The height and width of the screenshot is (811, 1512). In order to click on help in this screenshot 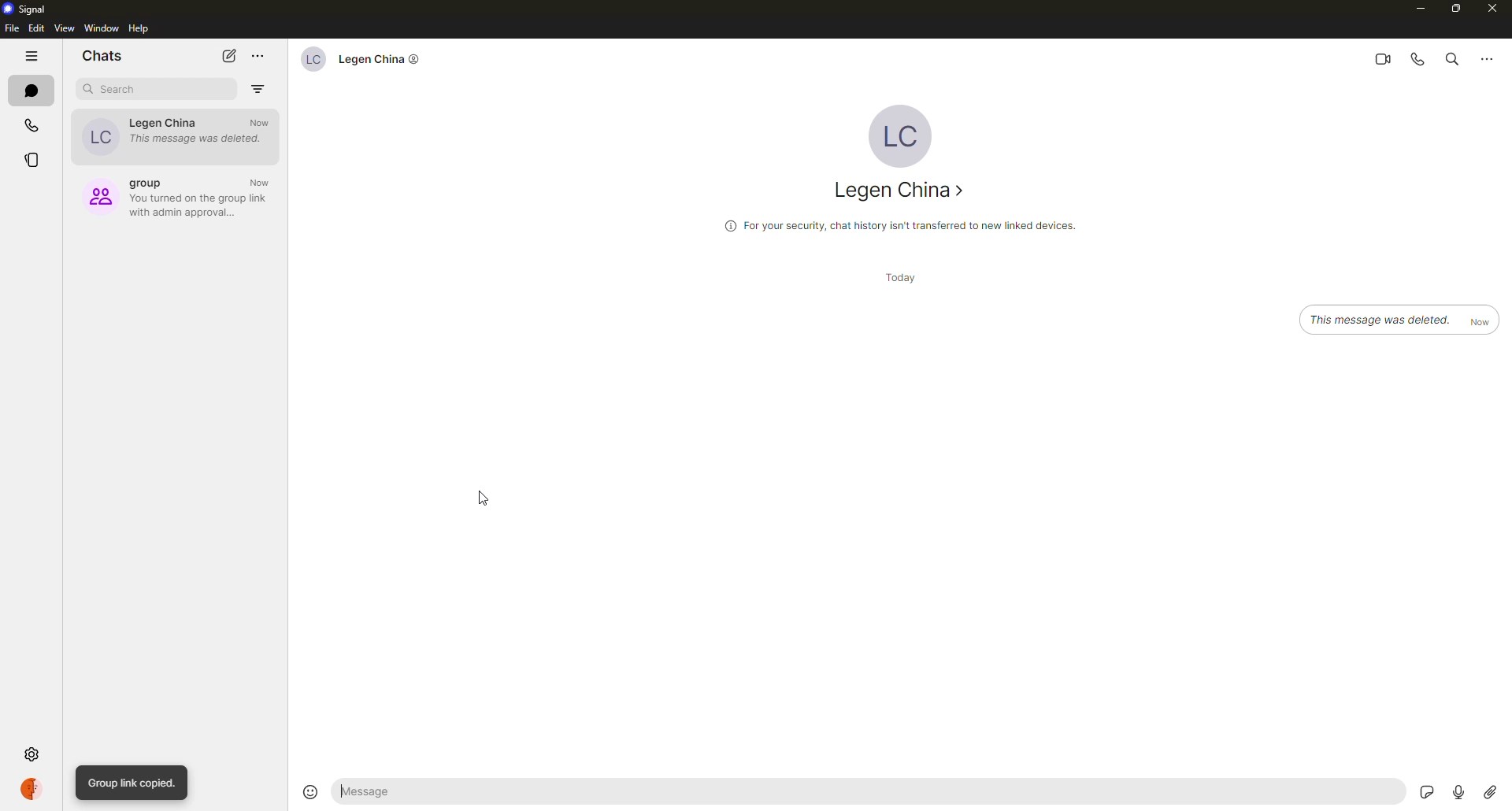, I will do `click(141, 29)`.